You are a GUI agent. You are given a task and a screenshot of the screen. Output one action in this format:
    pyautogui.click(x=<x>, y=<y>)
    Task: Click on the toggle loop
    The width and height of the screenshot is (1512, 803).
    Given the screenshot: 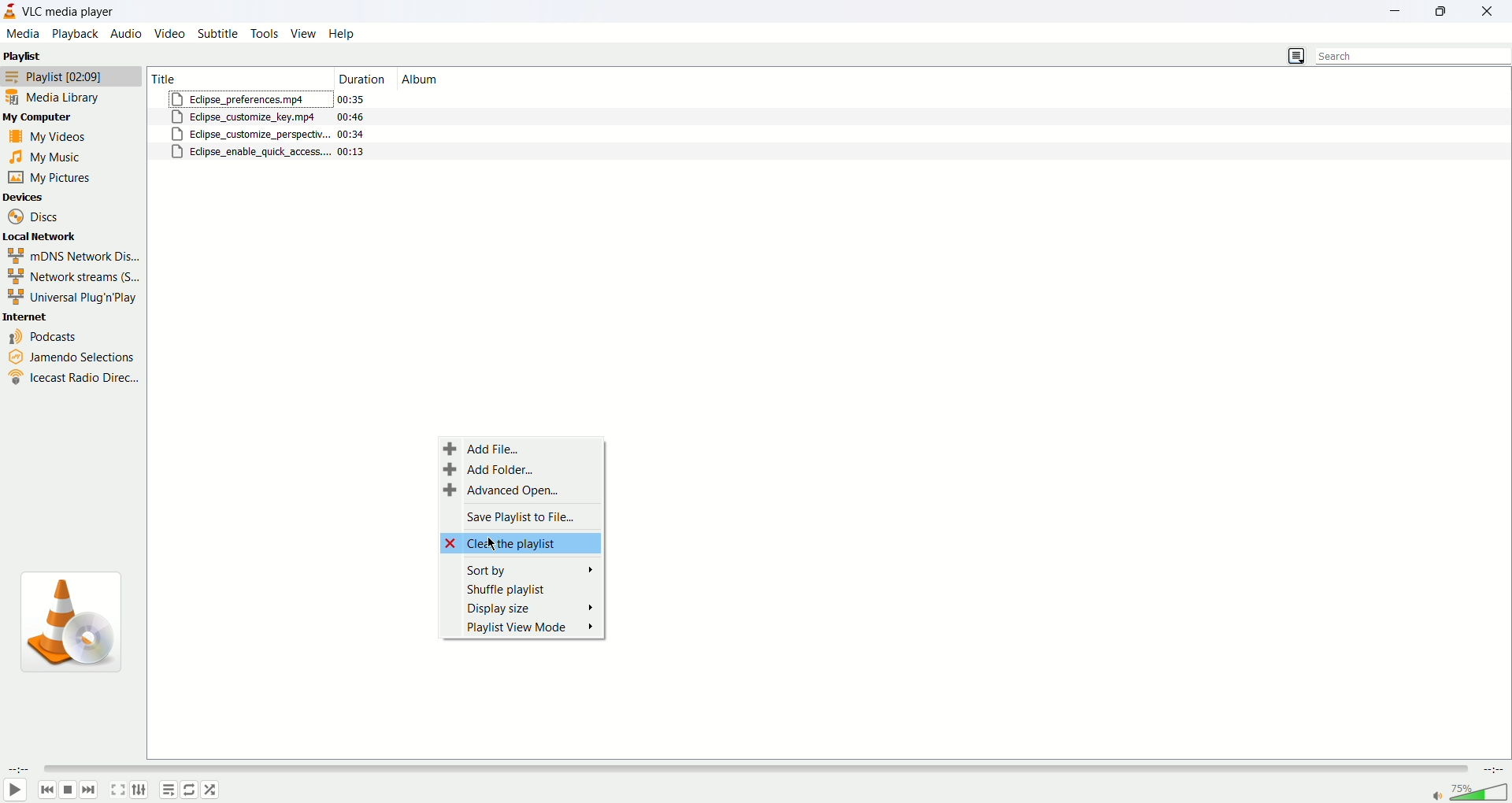 What is the action you would take?
    pyautogui.click(x=190, y=790)
    